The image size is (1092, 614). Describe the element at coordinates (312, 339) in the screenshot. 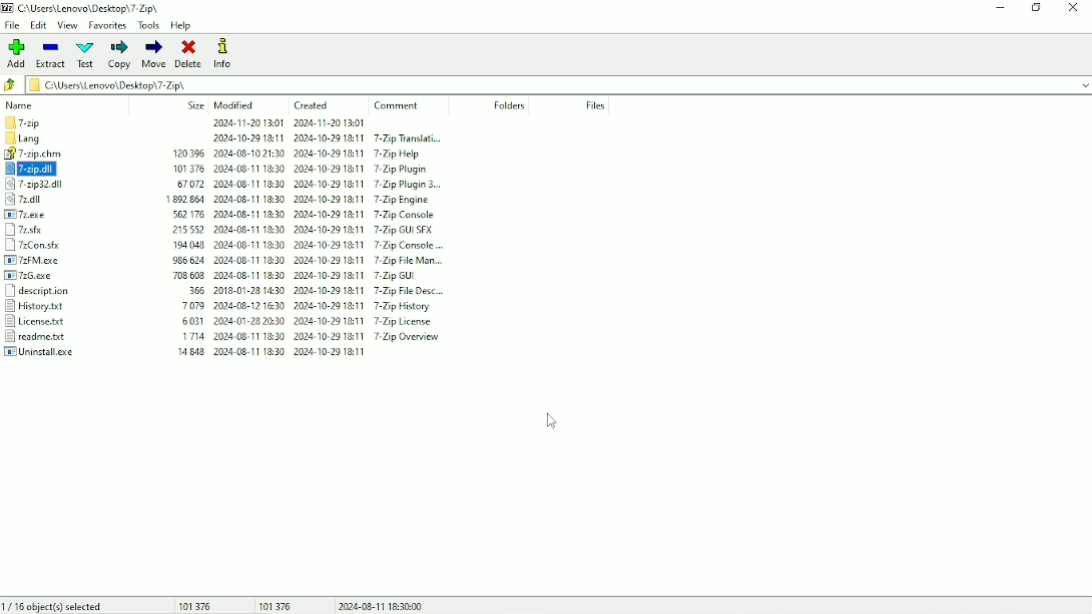

I see `TA 202408711830 202470291811 T-Zip Overview` at that location.